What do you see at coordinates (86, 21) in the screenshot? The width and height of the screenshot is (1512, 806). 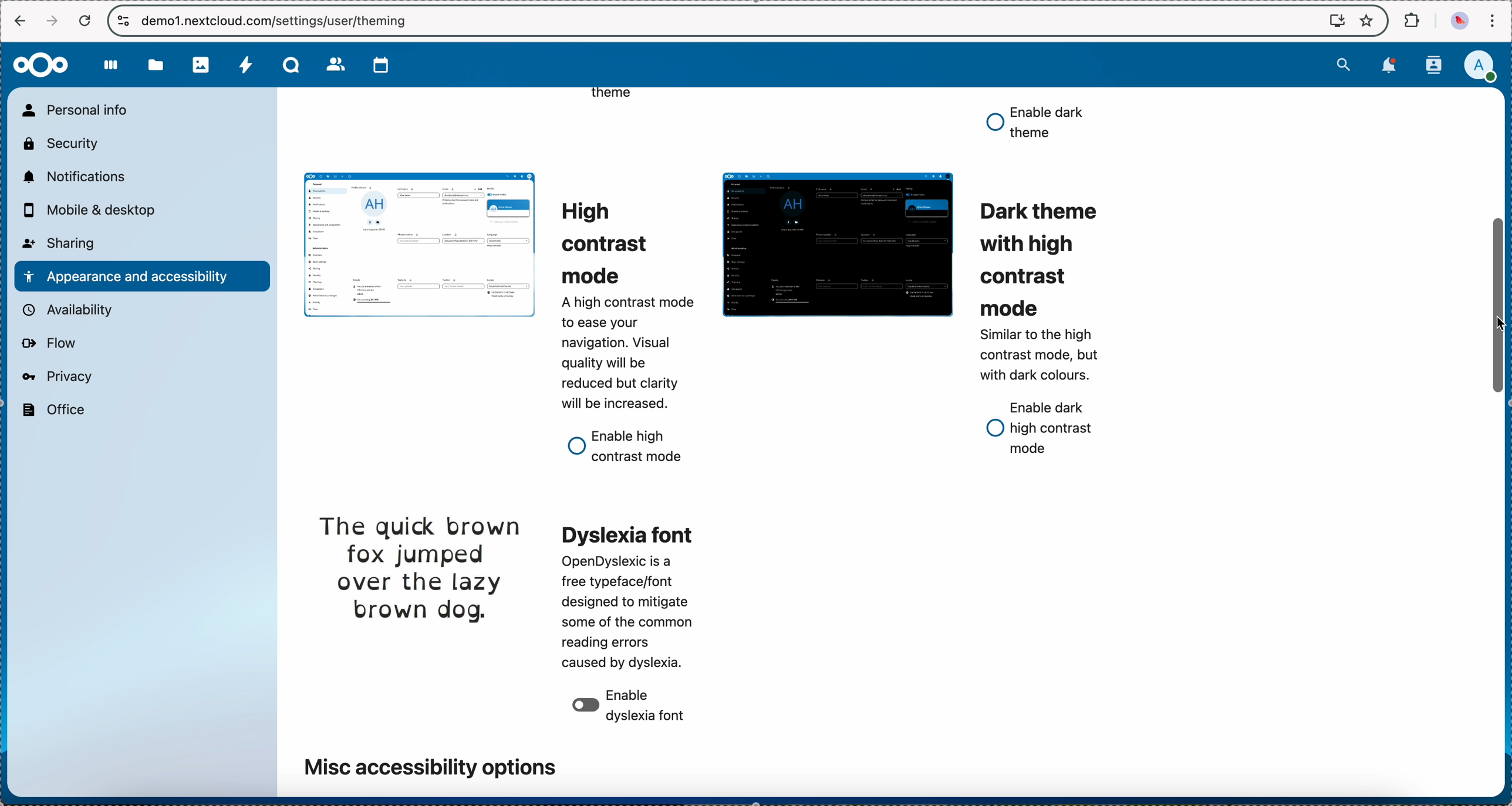 I see `refresh the page` at bounding box center [86, 21].